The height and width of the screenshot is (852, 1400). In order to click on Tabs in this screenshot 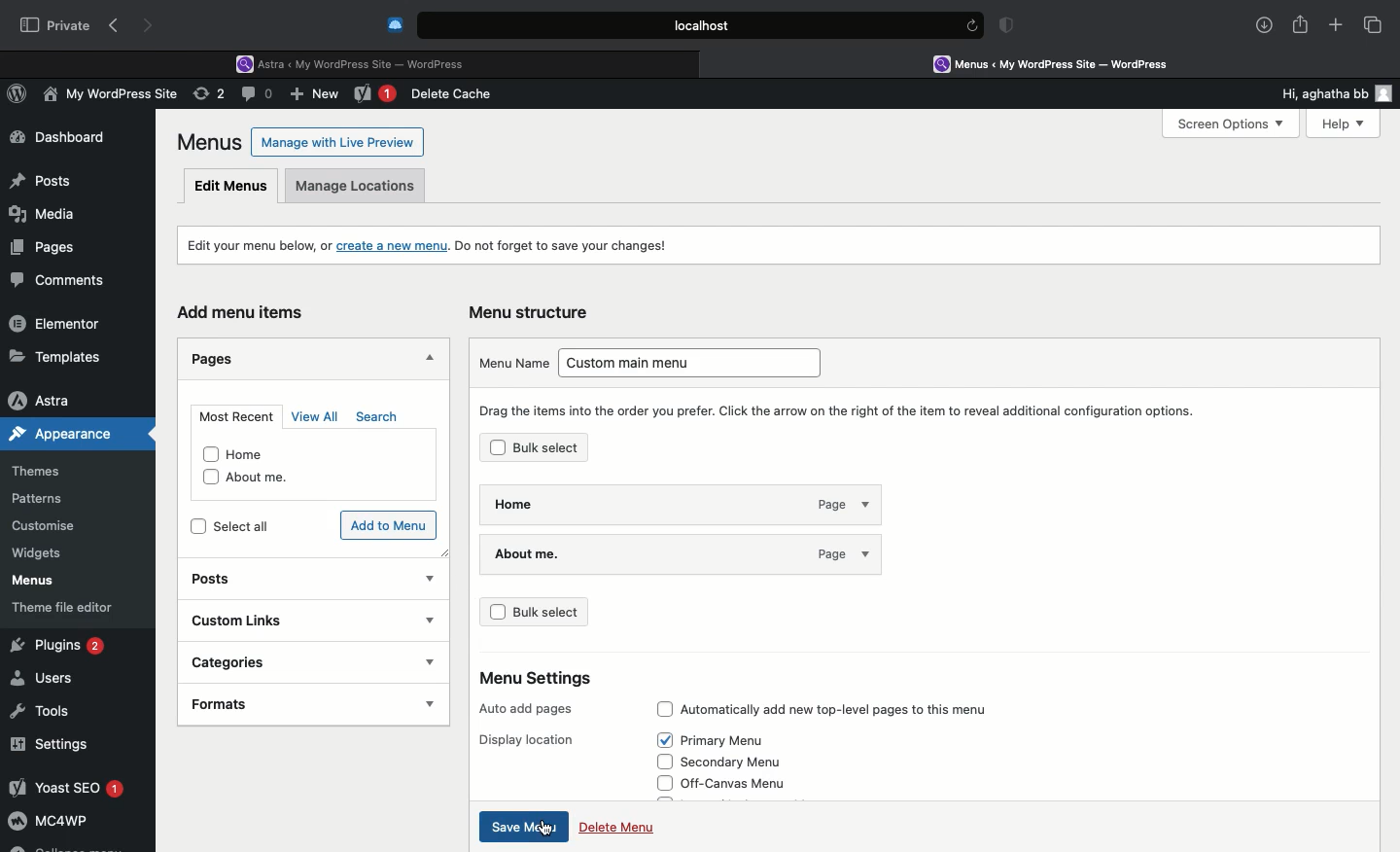, I will do `click(1374, 24)`.